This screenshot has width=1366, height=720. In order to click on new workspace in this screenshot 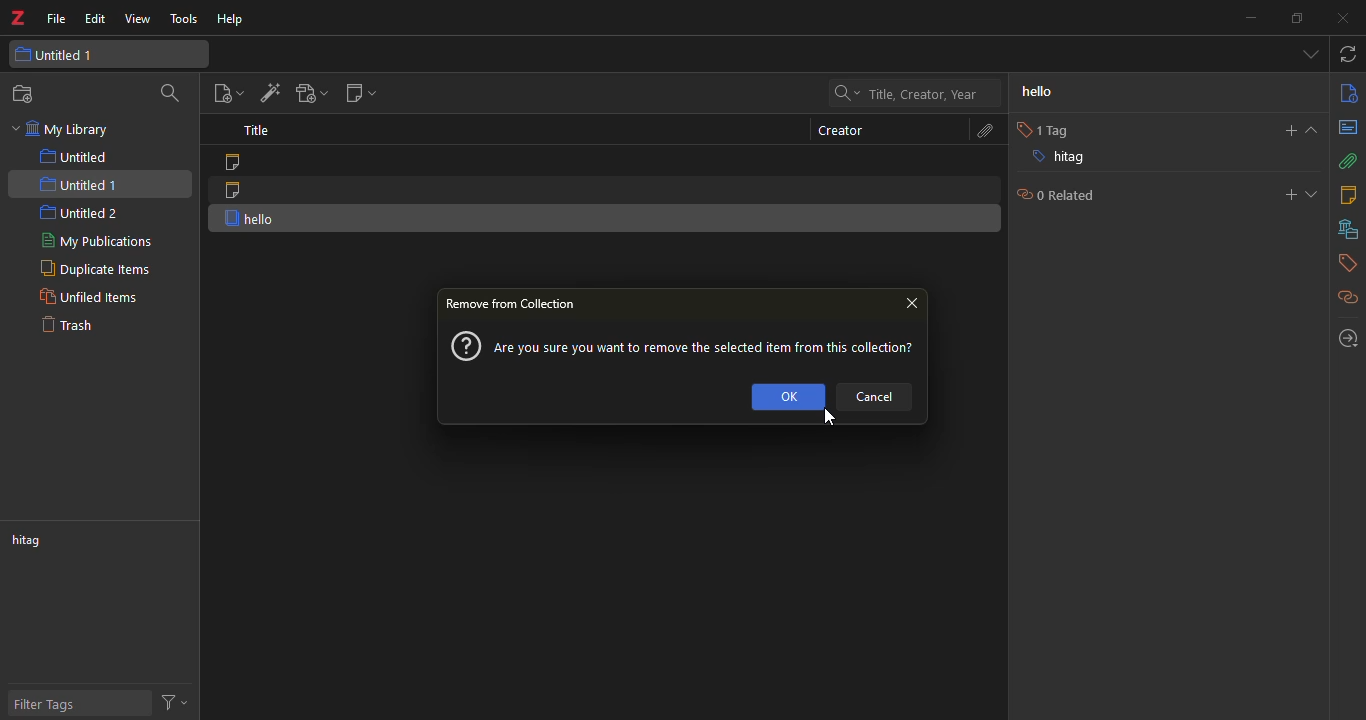, I will do `click(25, 93)`.